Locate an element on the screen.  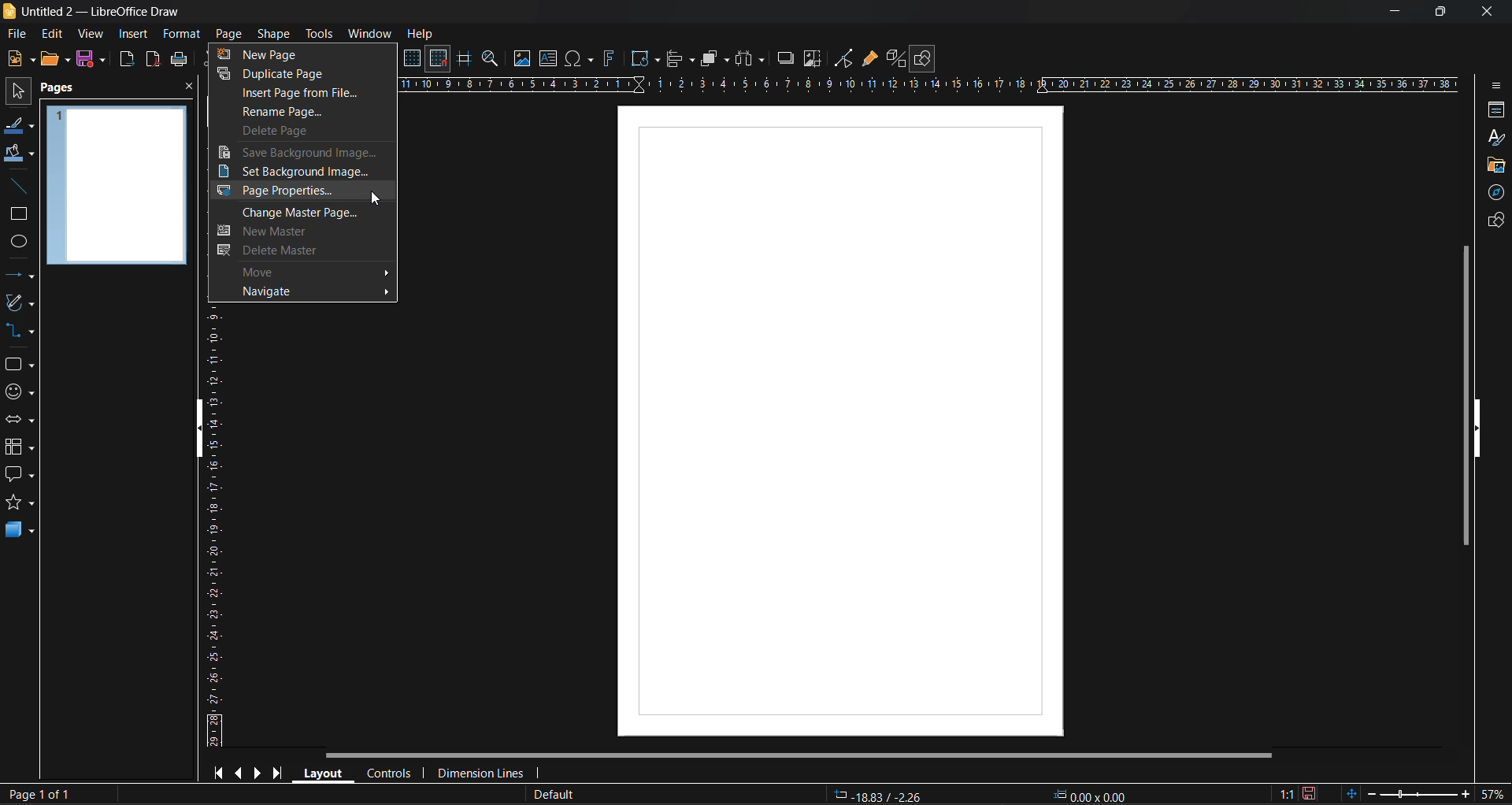
minimize is located at coordinates (1389, 12).